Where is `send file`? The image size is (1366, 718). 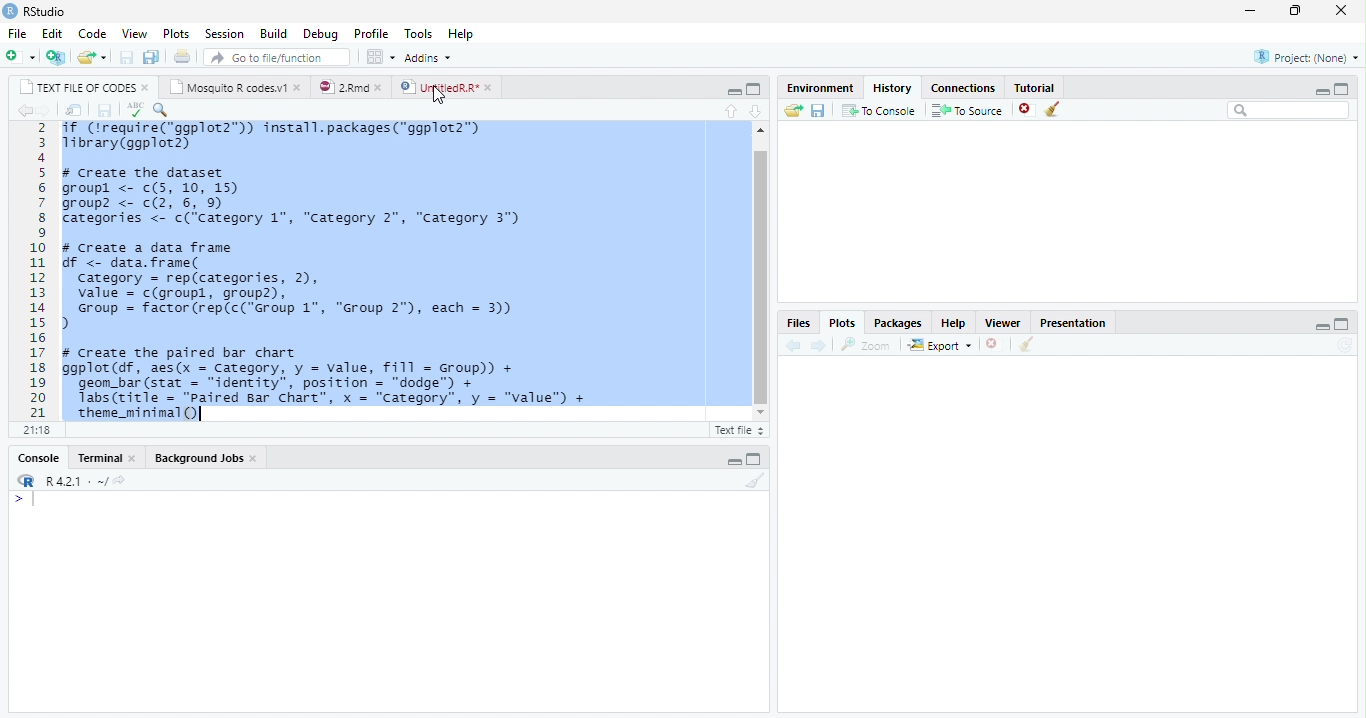
send file is located at coordinates (792, 108).